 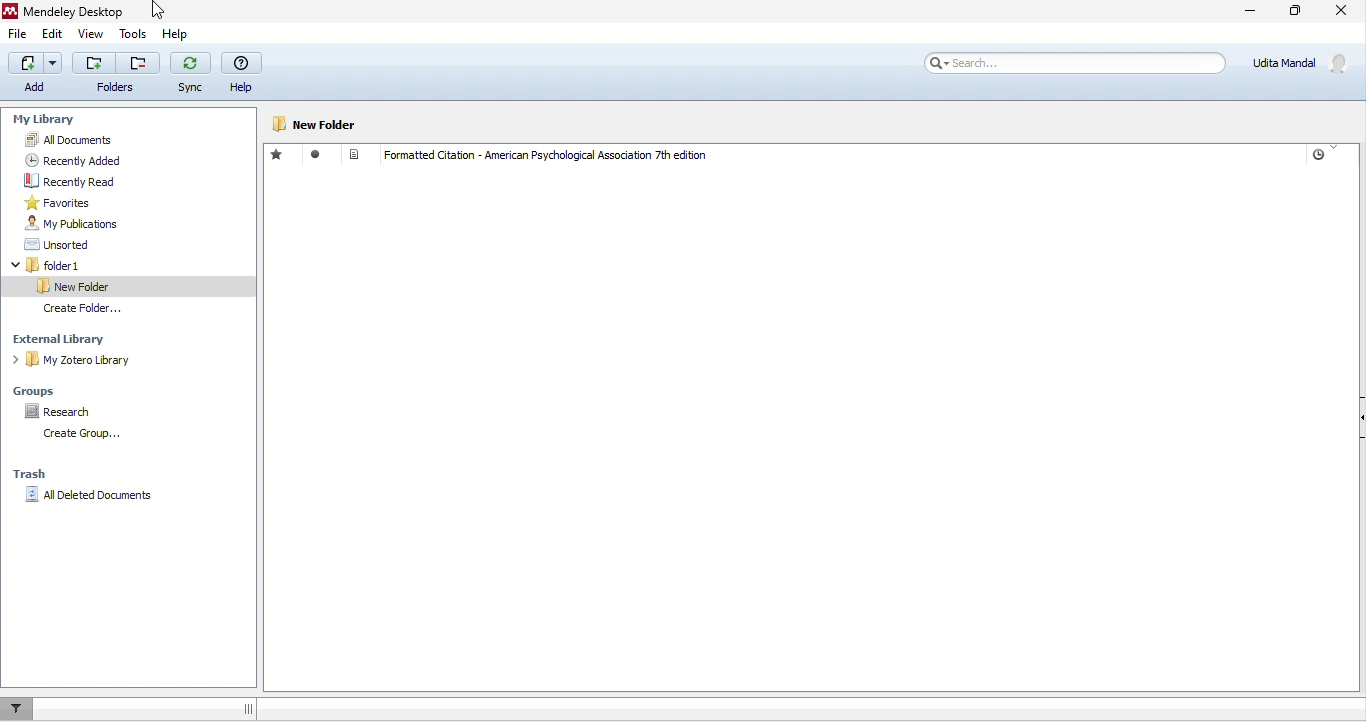 I want to click on close, so click(x=1341, y=10).